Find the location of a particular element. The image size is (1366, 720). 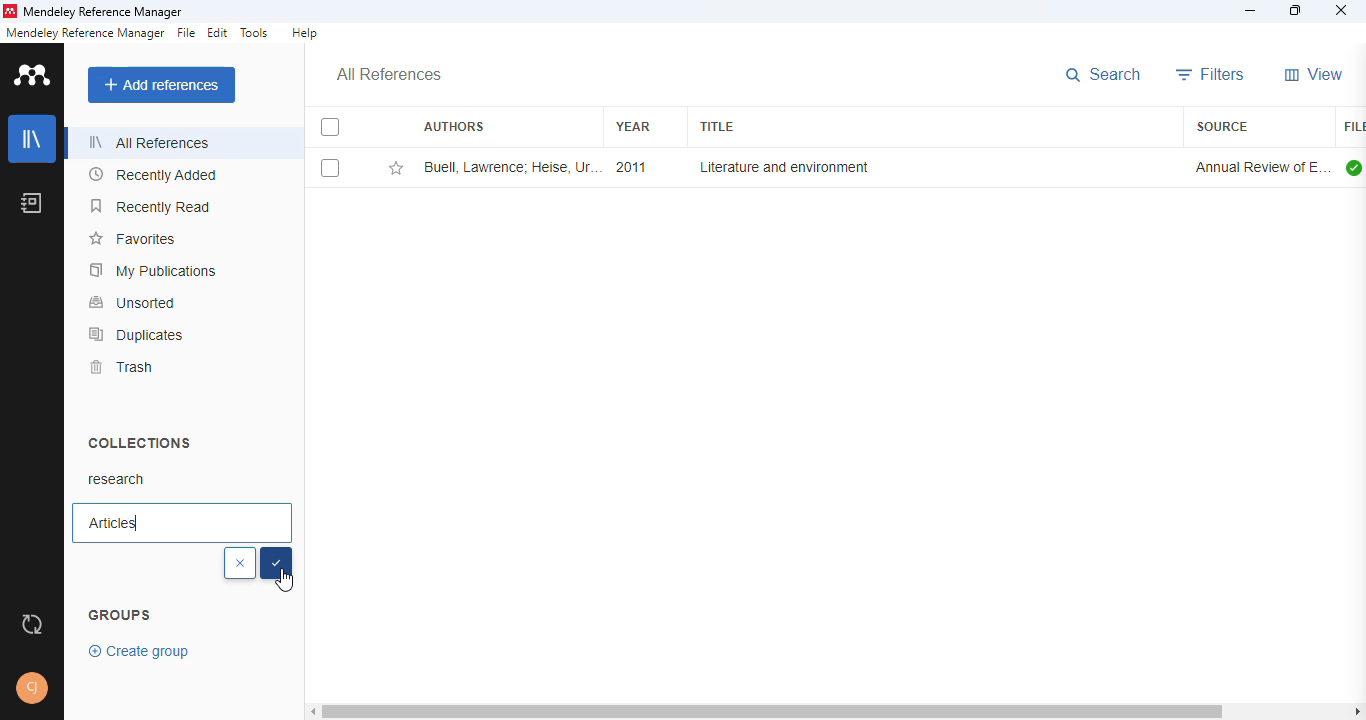

search is located at coordinates (1104, 75).